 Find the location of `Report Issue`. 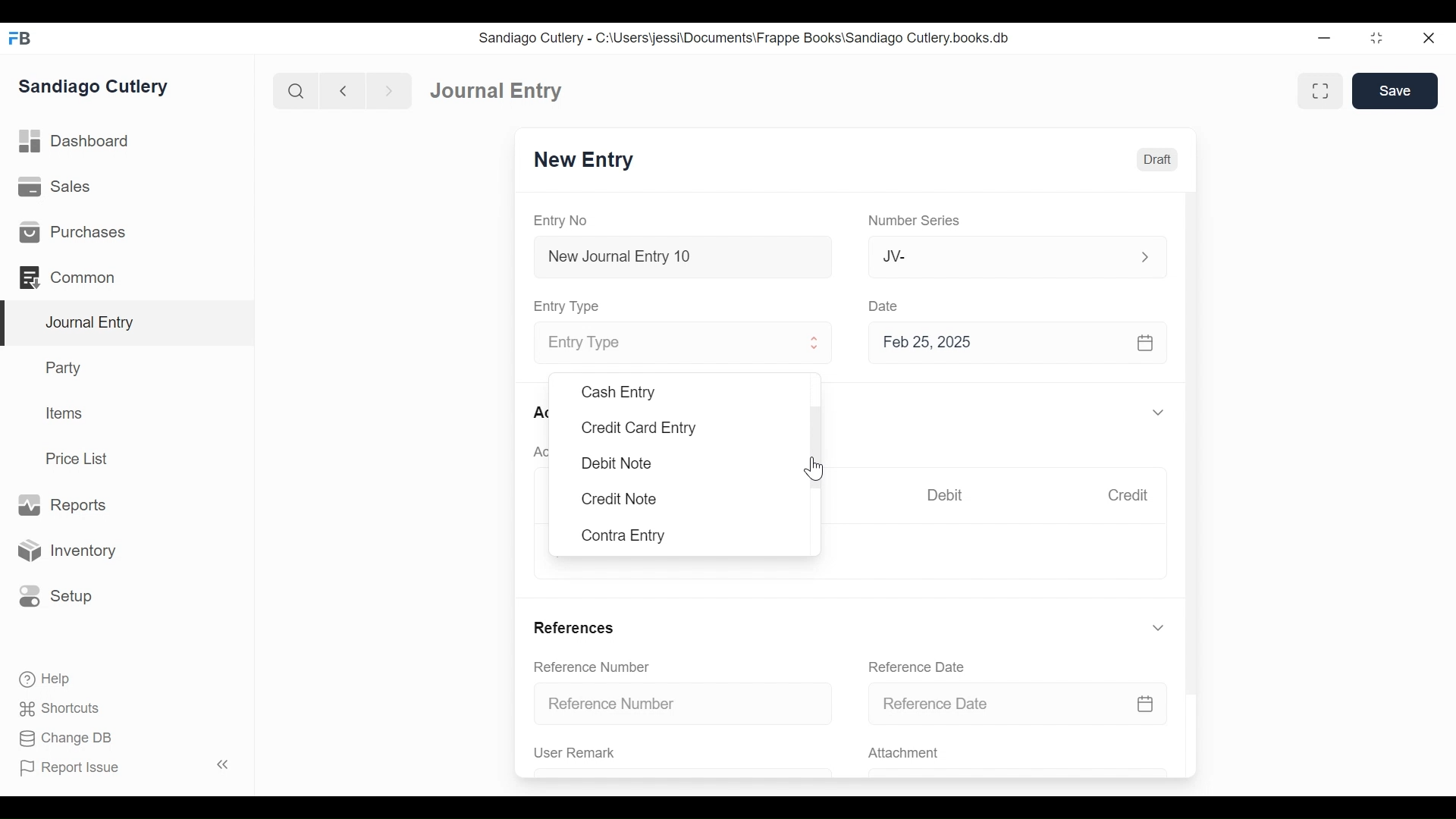

Report Issue is located at coordinates (124, 767).